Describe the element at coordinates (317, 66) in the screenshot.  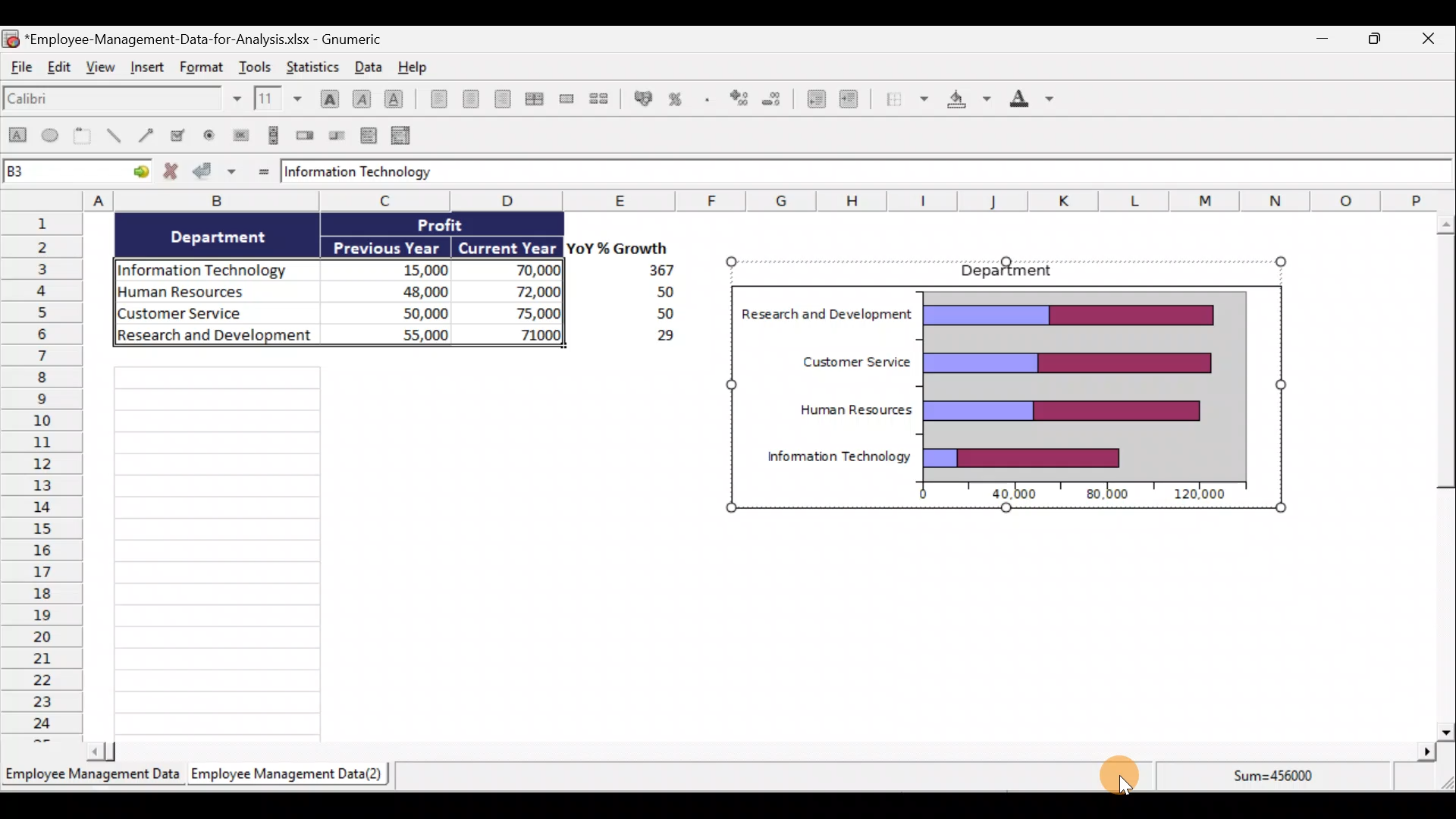
I see `Statistics` at that location.